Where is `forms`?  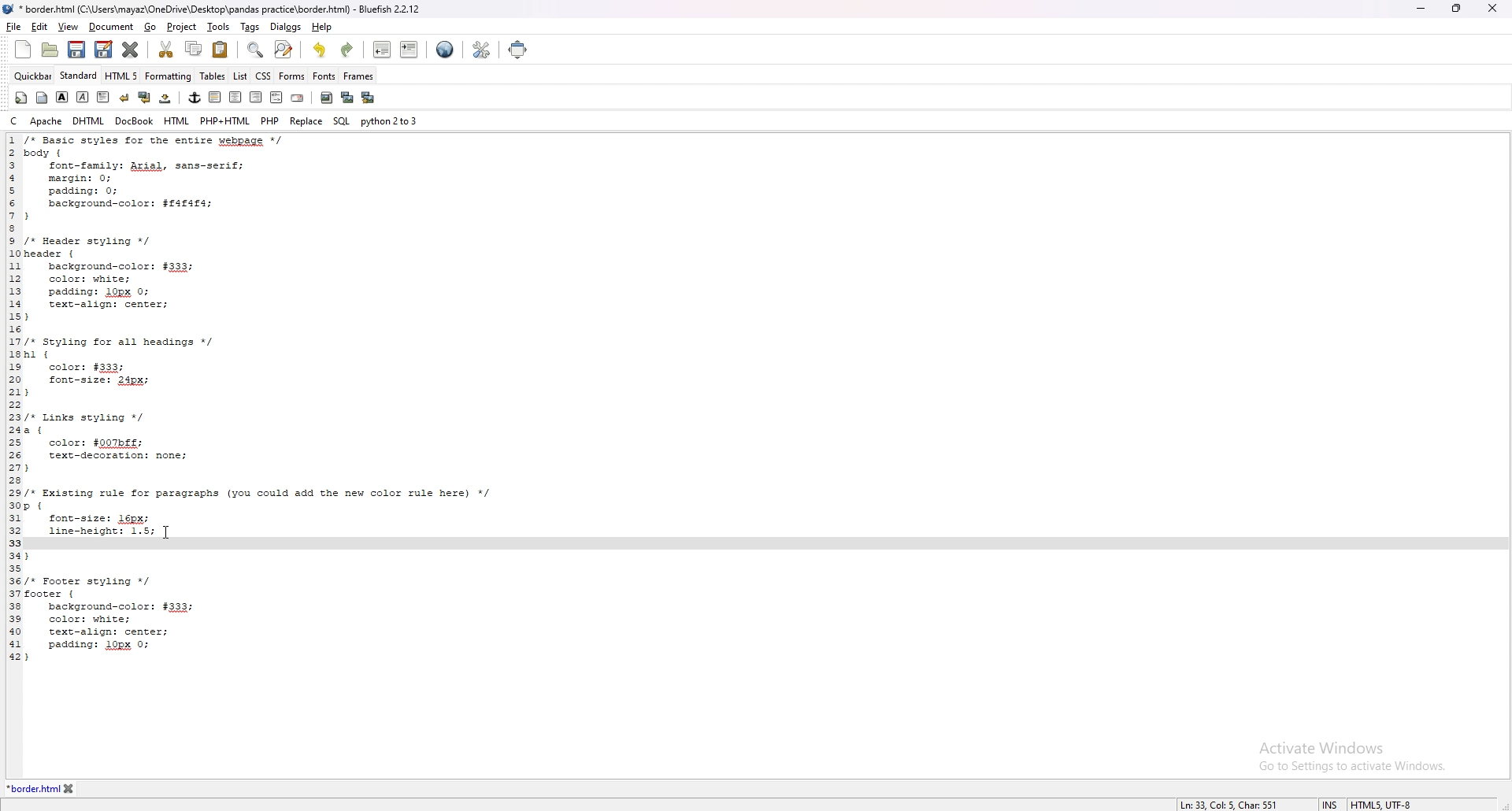 forms is located at coordinates (291, 77).